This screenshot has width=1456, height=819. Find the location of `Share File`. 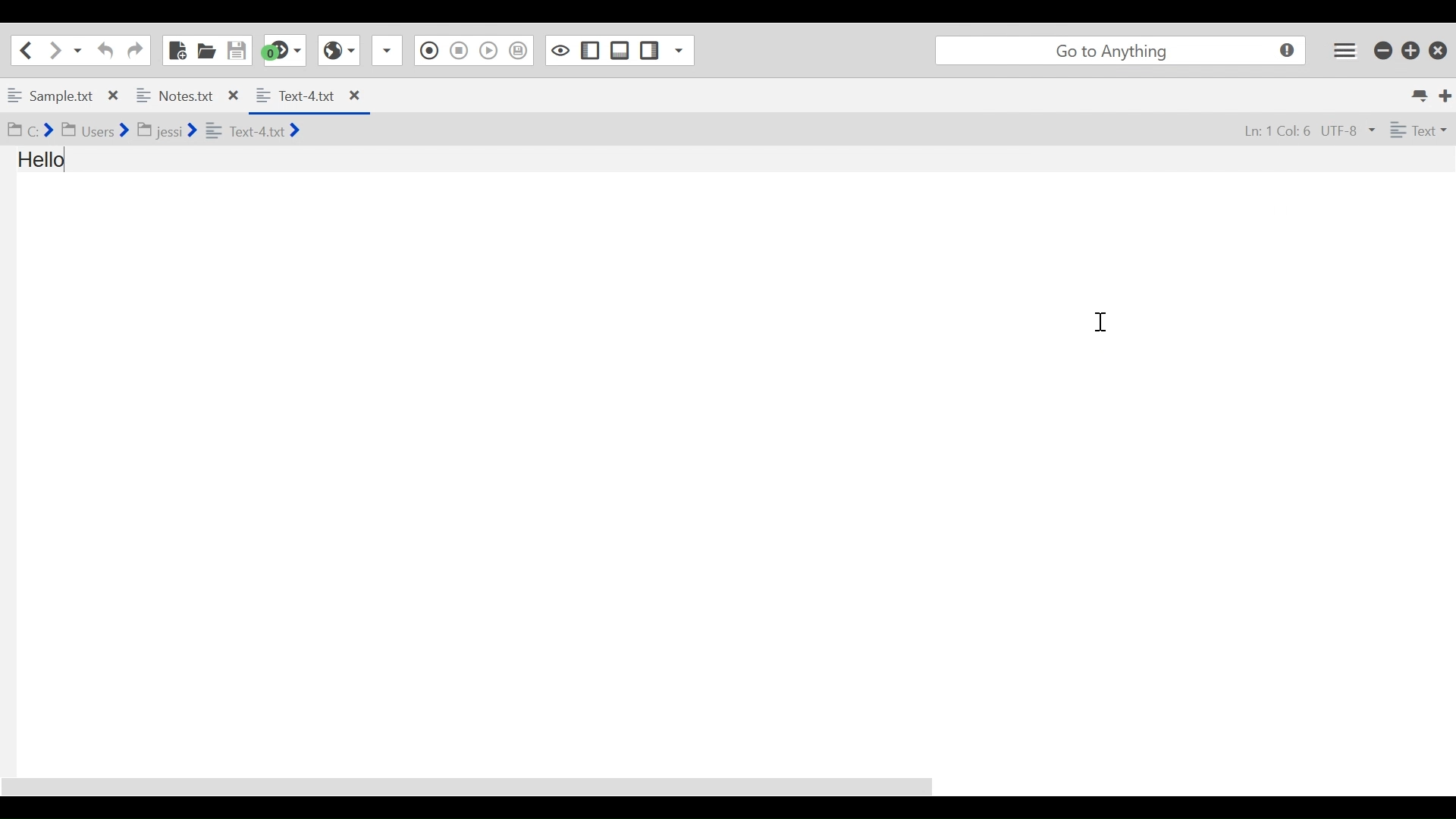

Share File is located at coordinates (388, 51).